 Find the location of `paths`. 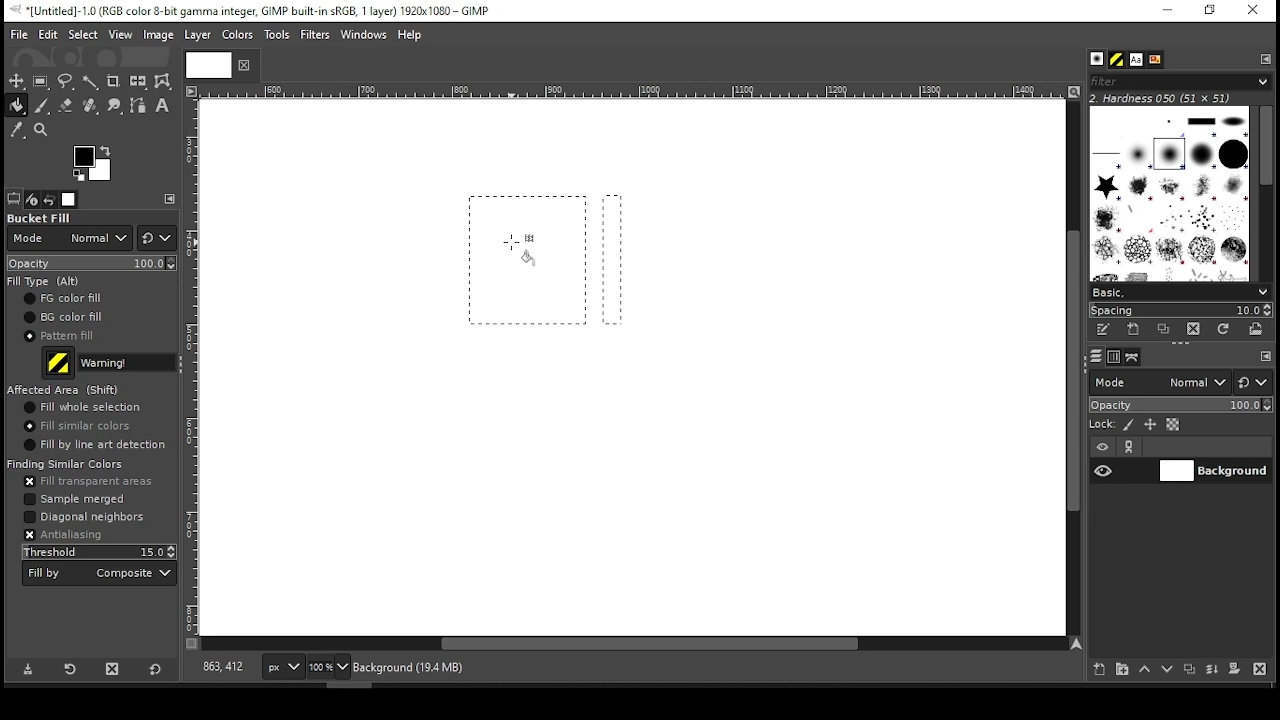

paths is located at coordinates (1135, 356).